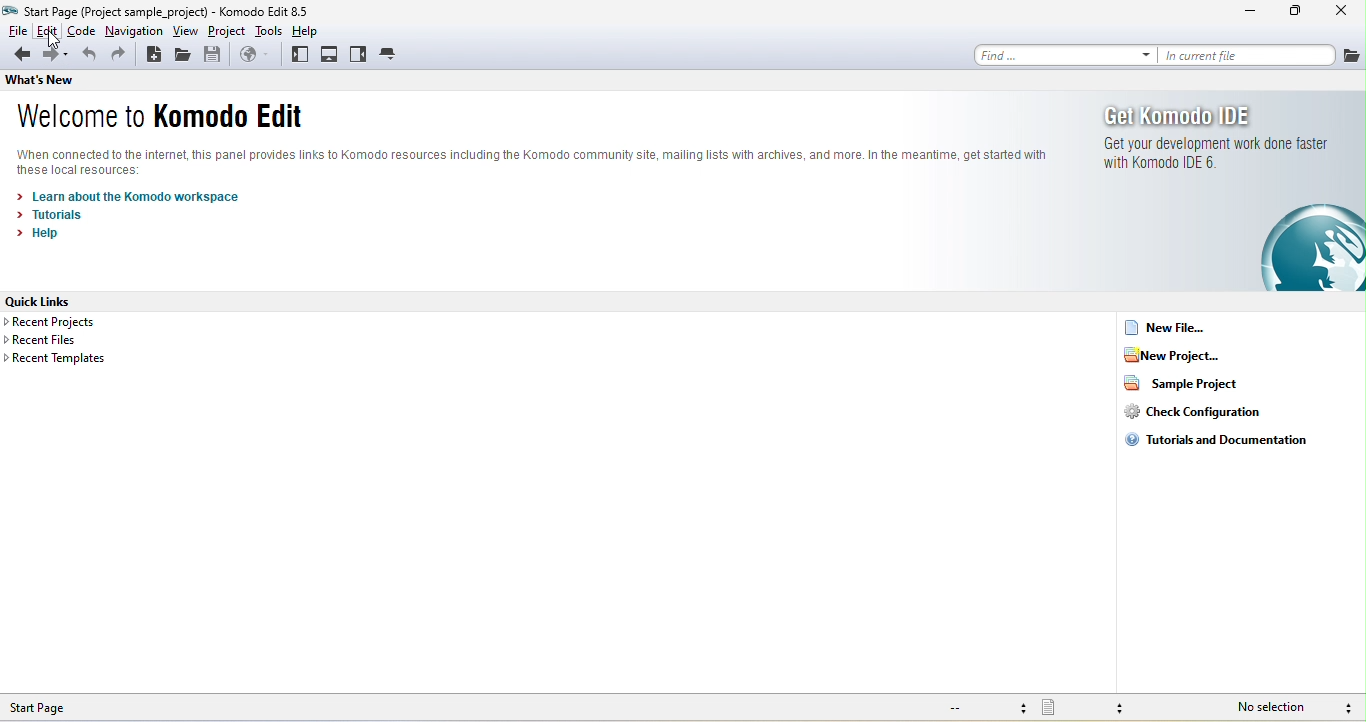  What do you see at coordinates (312, 31) in the screenshot?
I see `help` at bounding box center [312, 31].